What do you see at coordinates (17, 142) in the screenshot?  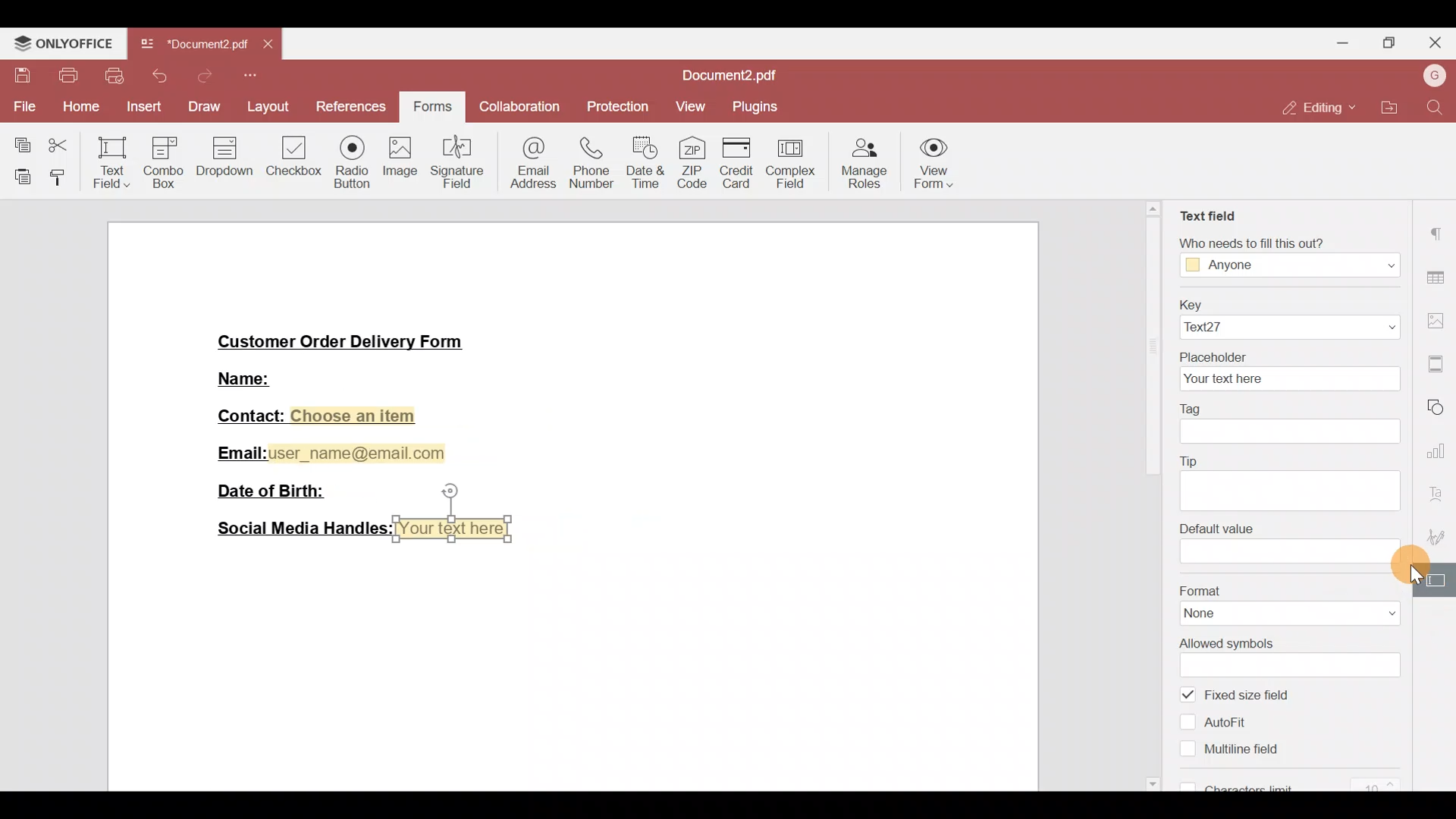 I see `Copy` at bounding box center [17, 142].